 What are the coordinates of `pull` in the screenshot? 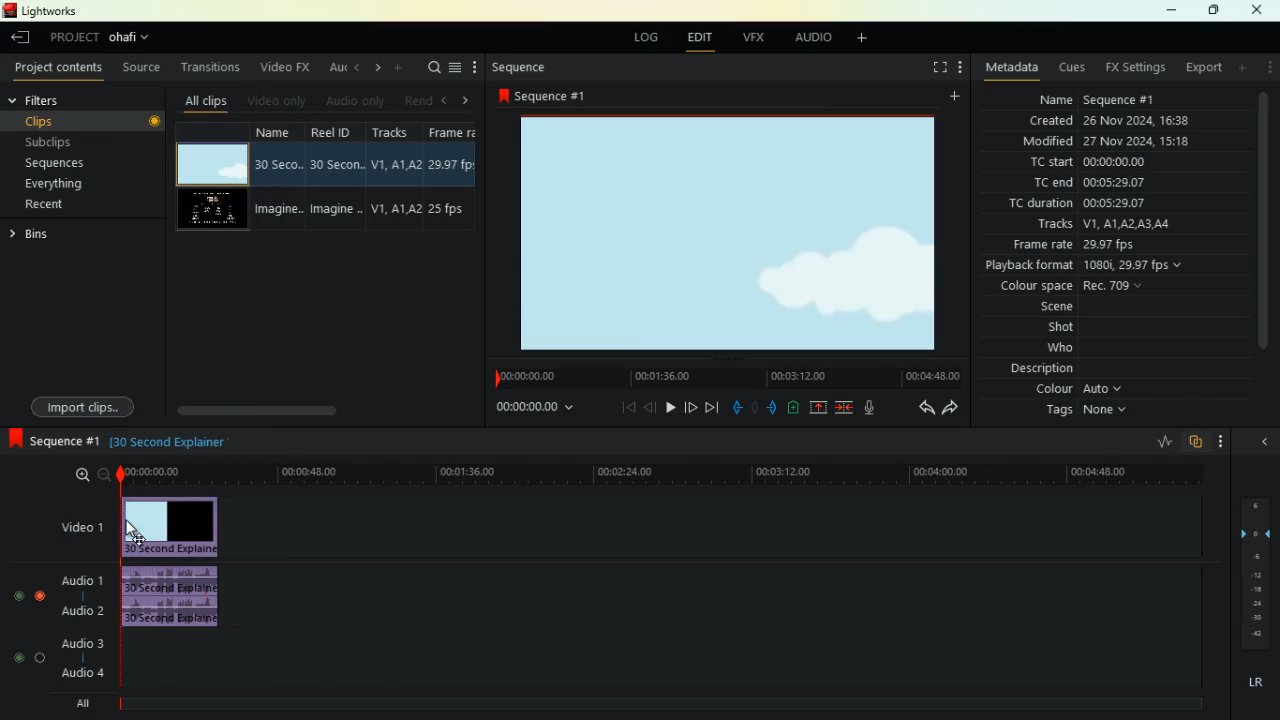 It's located at (734, 408).